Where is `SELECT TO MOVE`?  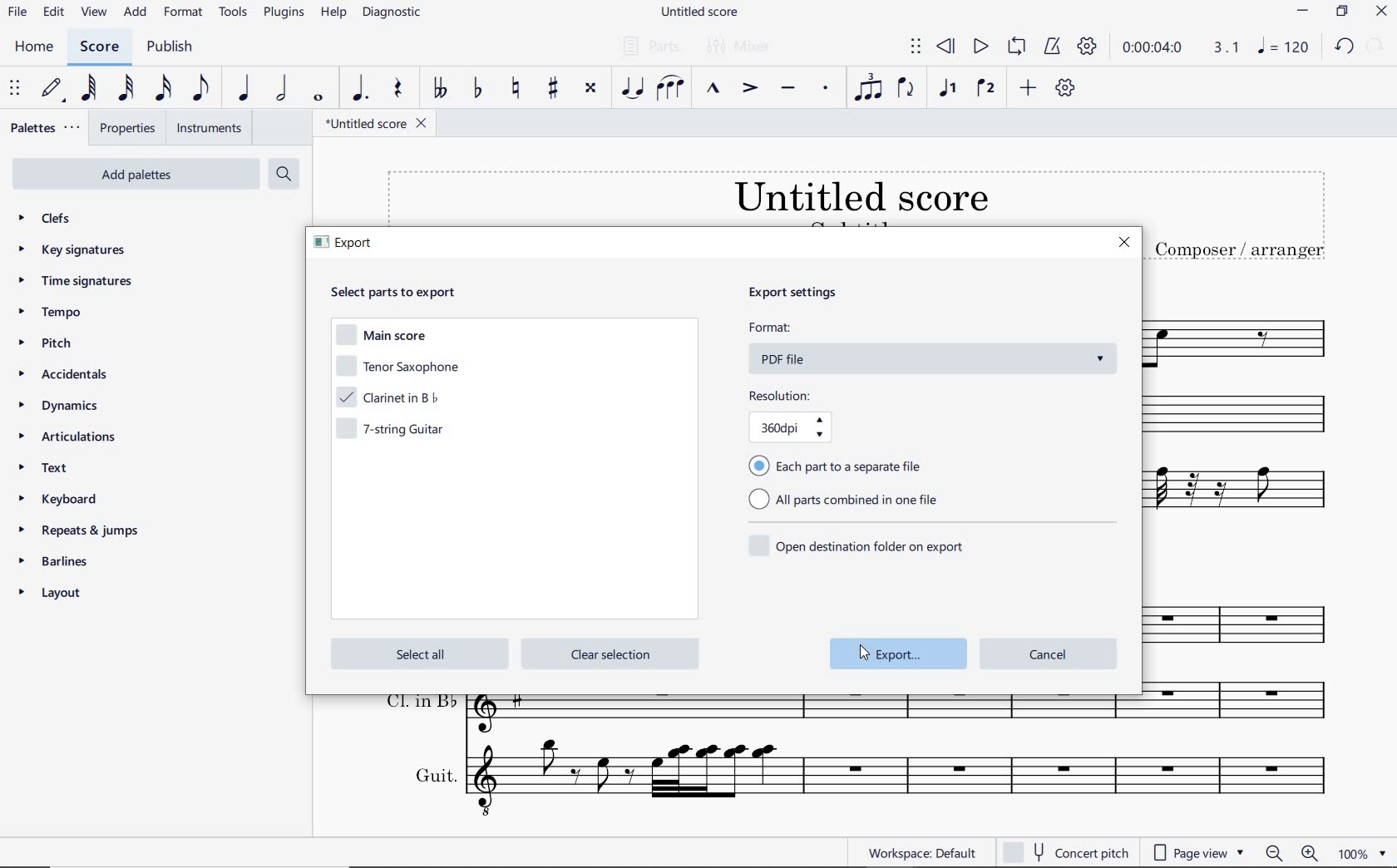
SELECT TO MOVE is located at coordinates (16, 90).